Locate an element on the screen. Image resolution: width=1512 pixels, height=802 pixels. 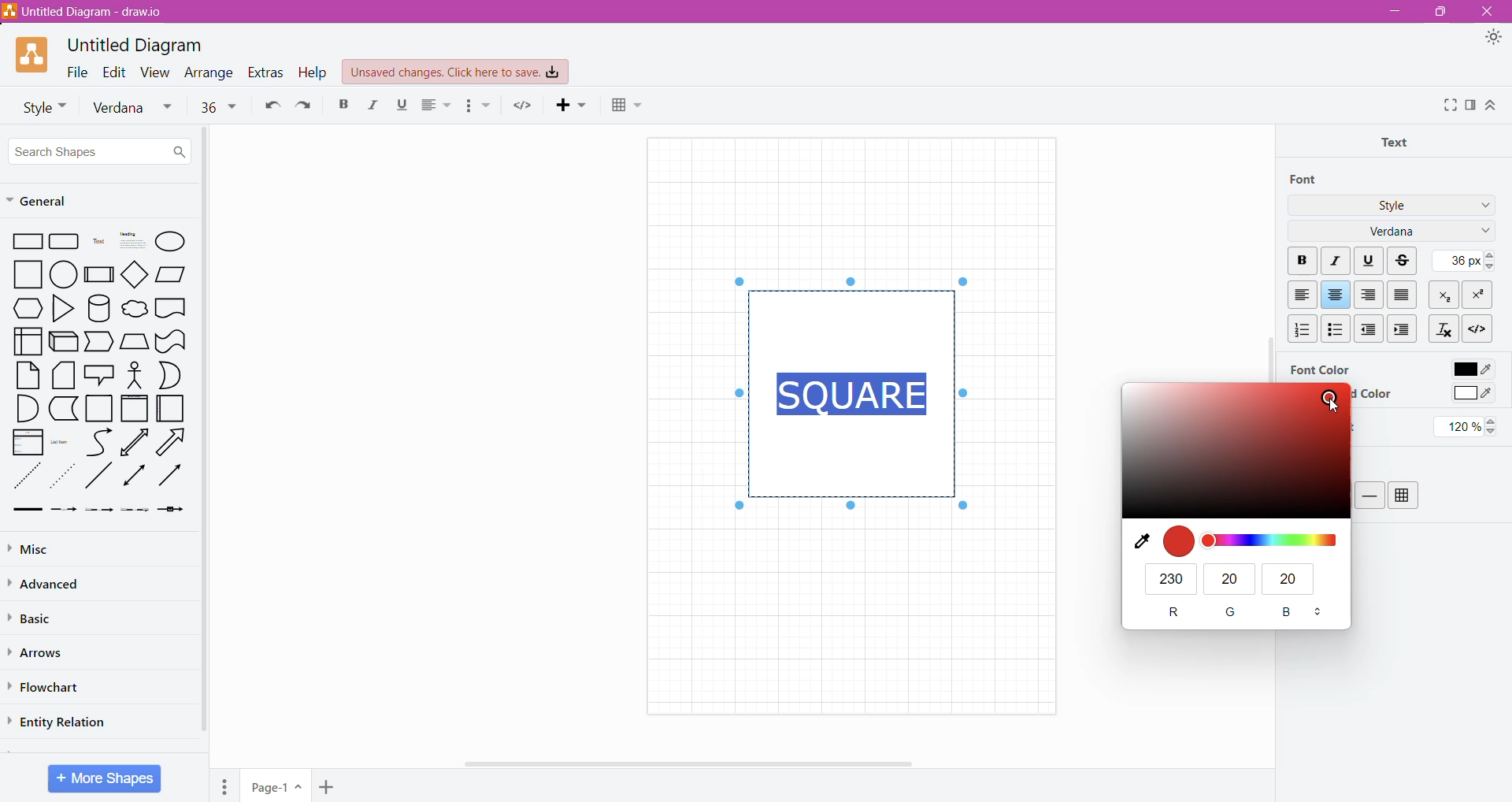
Application Logo is located at coordinates (33, 55).